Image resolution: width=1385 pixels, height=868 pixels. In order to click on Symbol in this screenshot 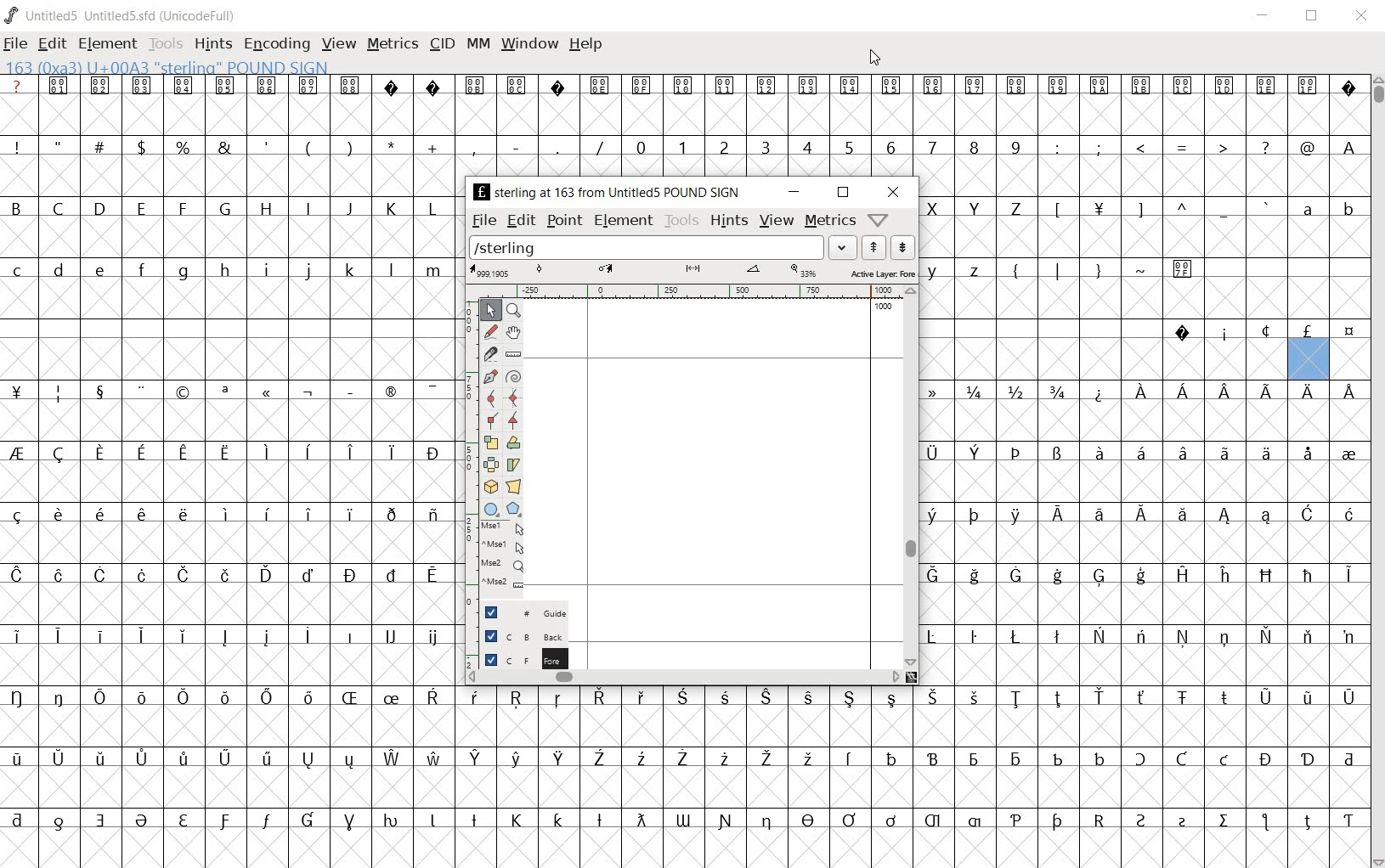, I will do `click(975, 697)`.